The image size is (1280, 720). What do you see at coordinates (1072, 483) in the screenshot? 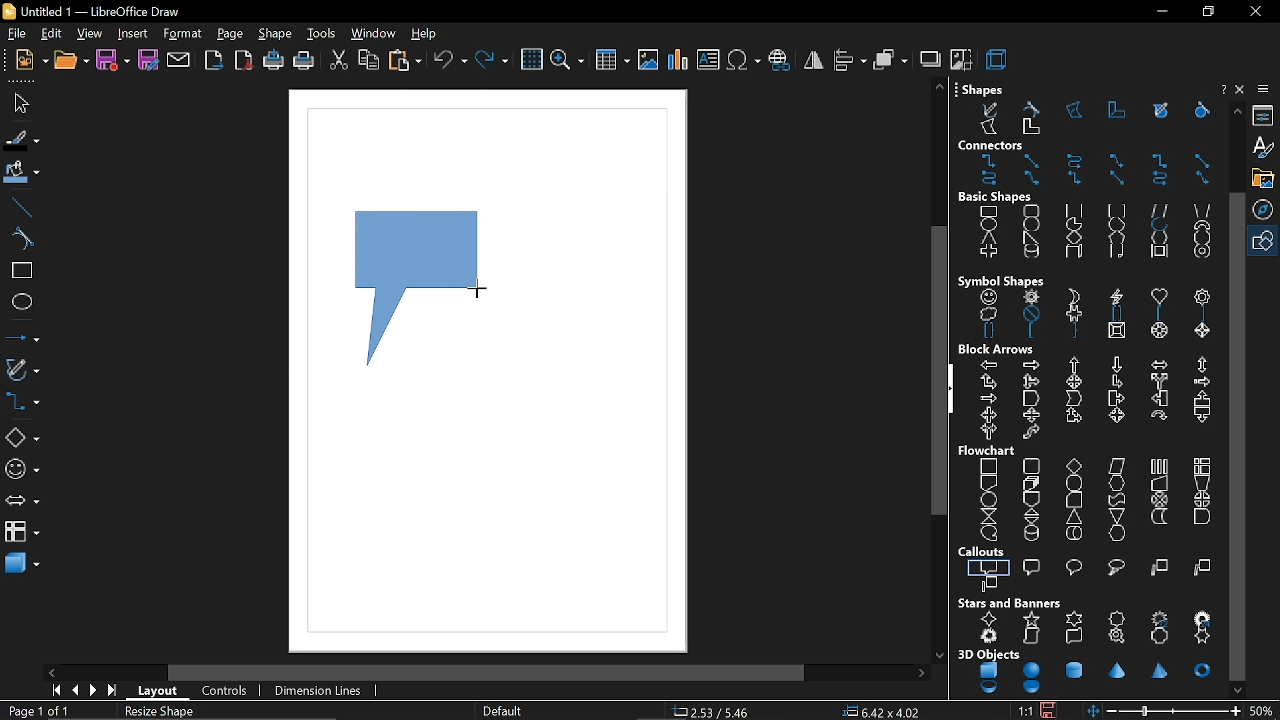
I see `terminator` at bounding box center [1072, 483].